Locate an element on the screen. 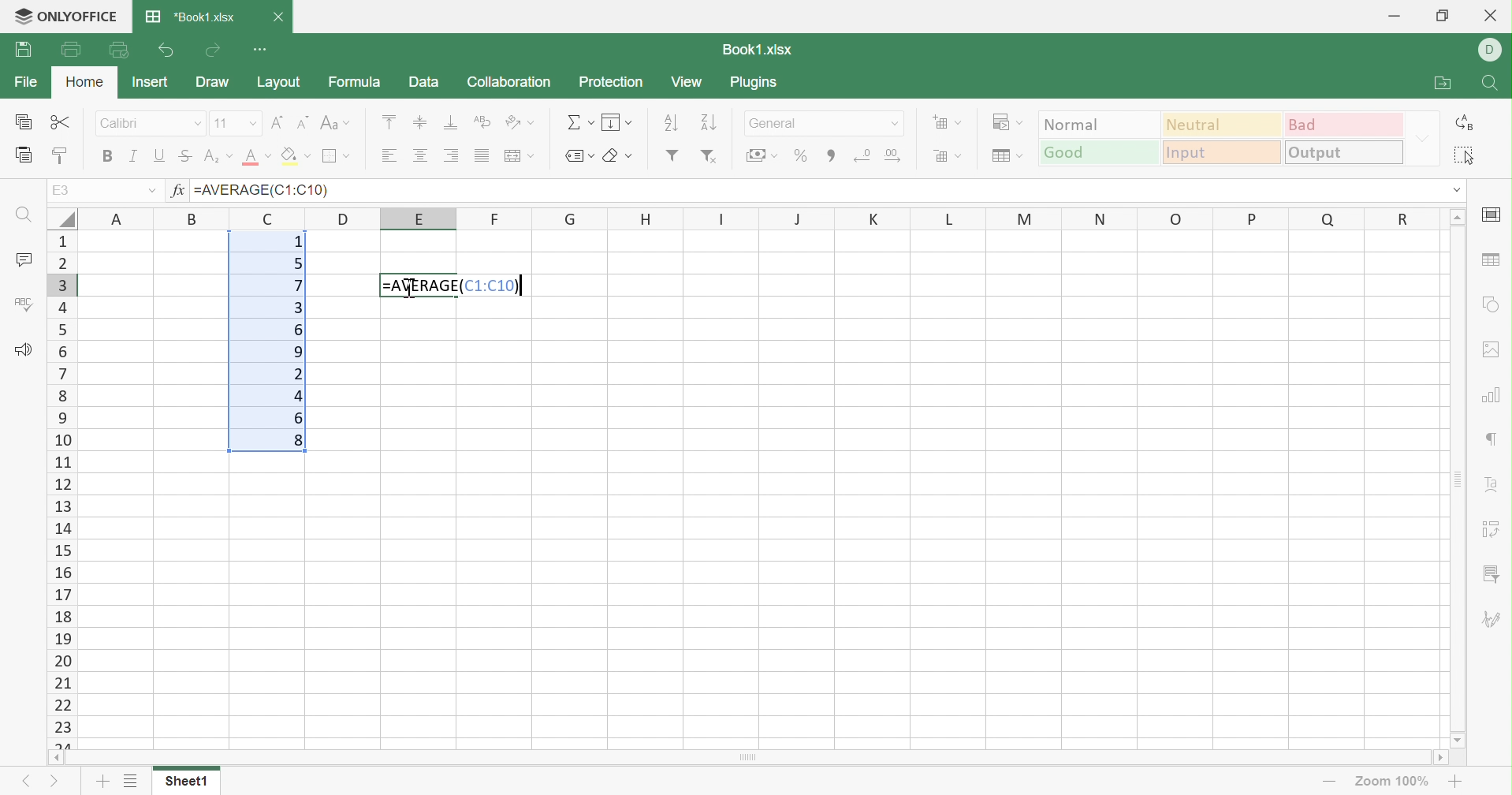 This screenshot has width=1512, height=795. Wrap Text is located at coordinates (482, 122).